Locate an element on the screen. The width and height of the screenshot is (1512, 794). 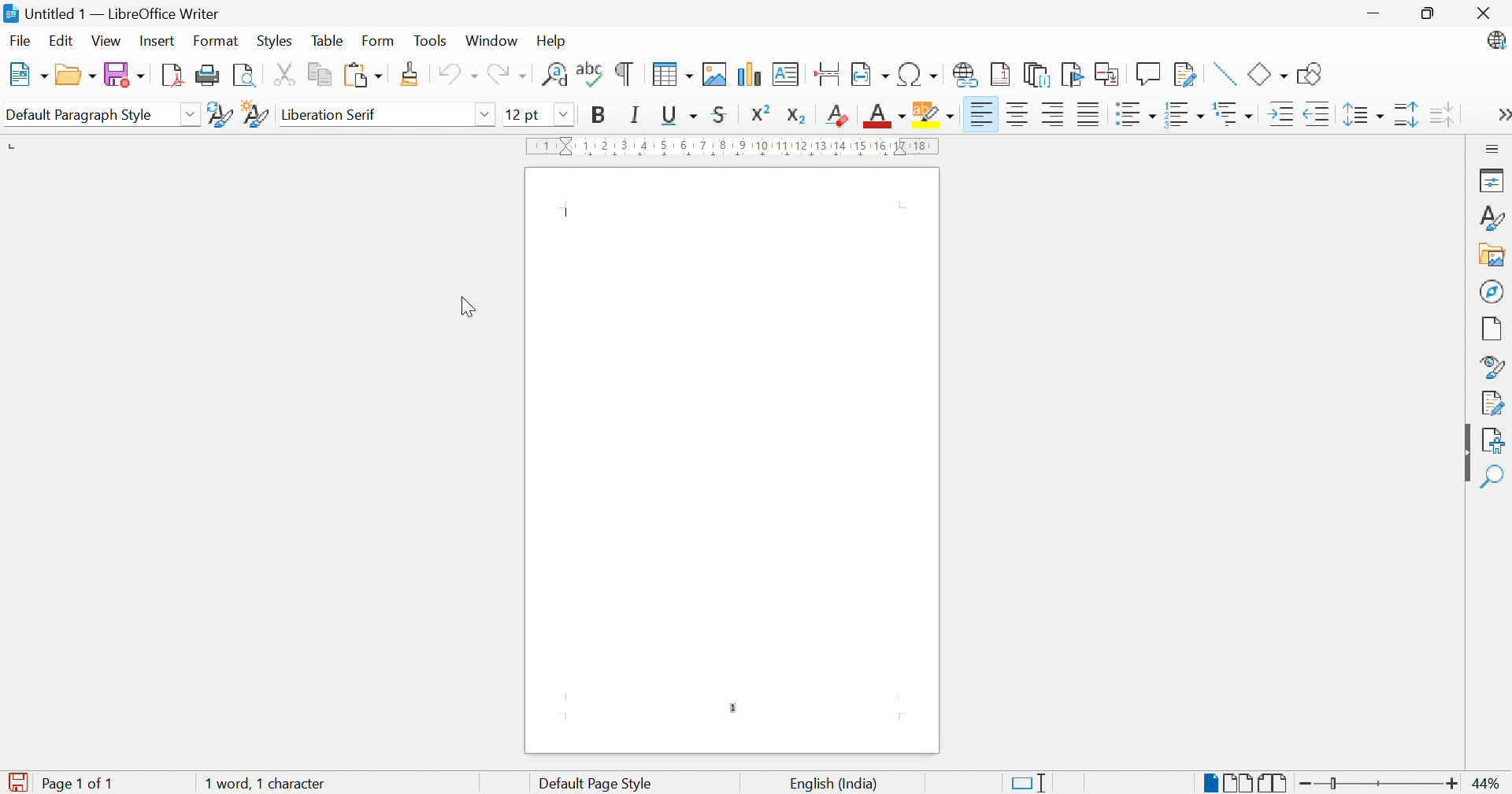
English (India) is located at coordinates (832, 785).